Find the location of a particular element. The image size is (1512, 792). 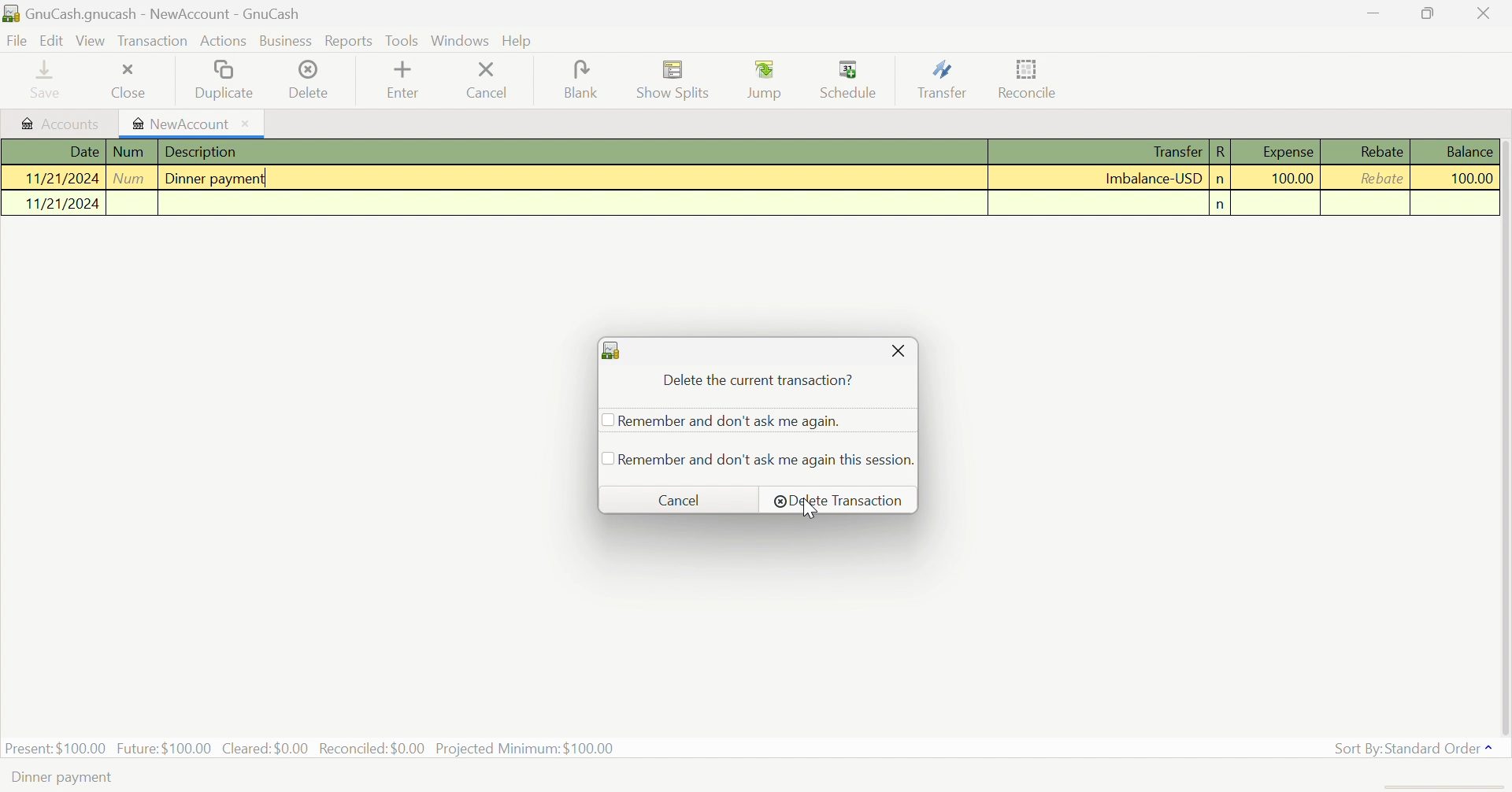

GnuCash.gnucash - NewAccount - GnuCash is located at coordinates (154, 14).